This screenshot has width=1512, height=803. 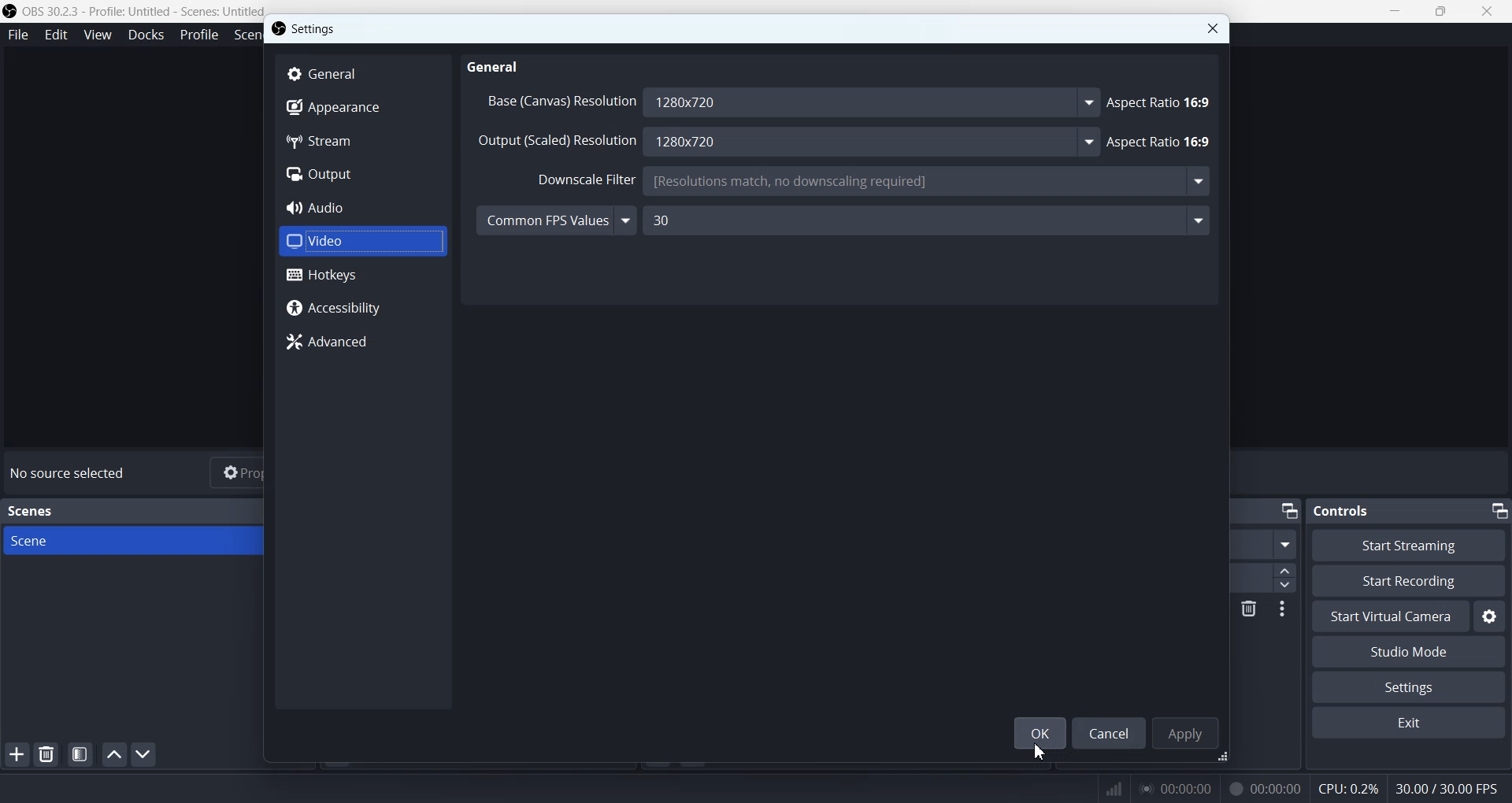 I want to click on Common FPS Values 30, so click(x=843, y=223).